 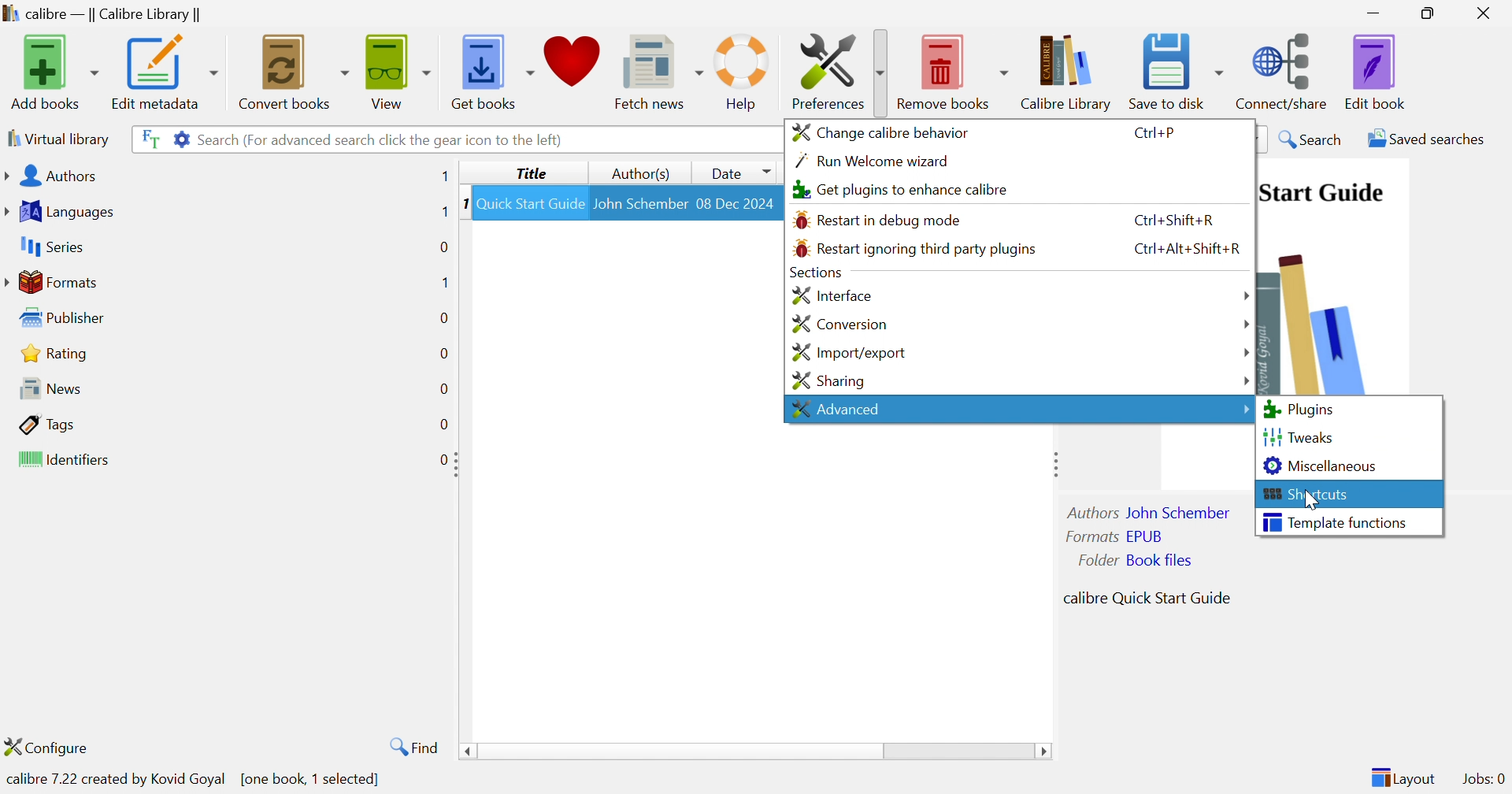 I want to click on Add books, so click(x=52, y=72).